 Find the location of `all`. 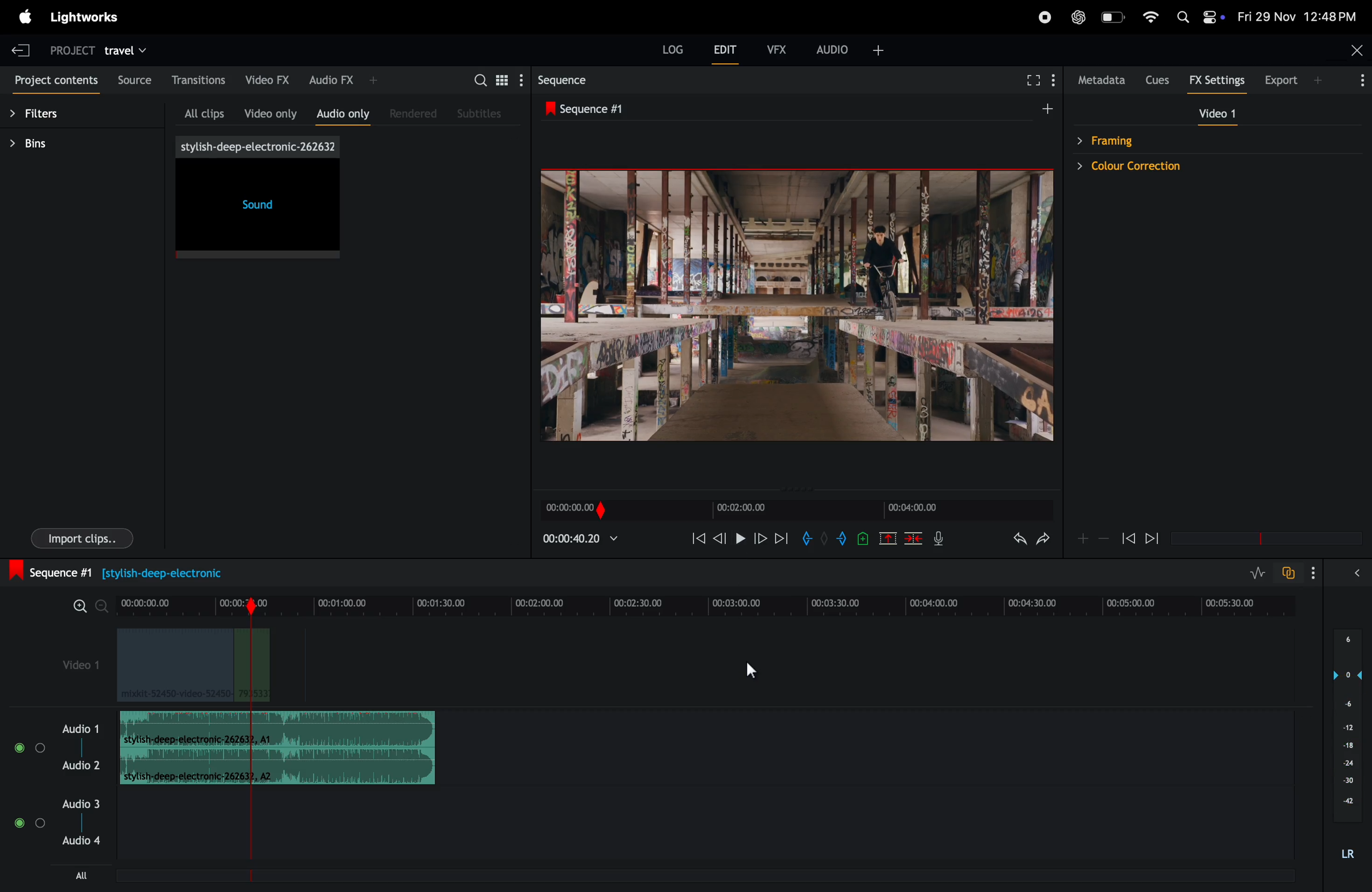

all is located at coordinates (85, 875).